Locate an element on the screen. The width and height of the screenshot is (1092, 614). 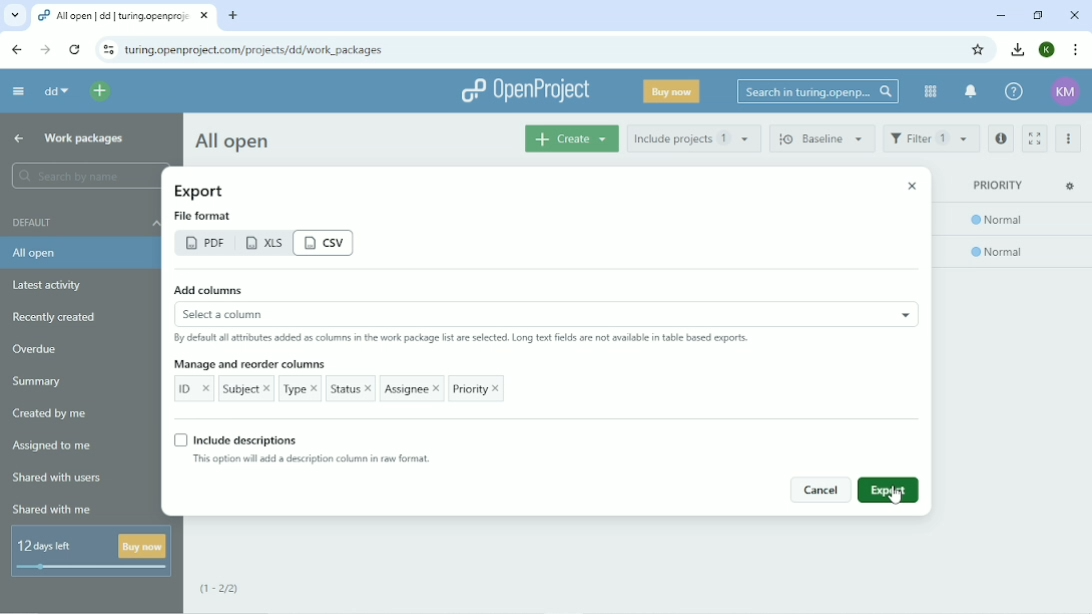
Current tab is located at coordinates (126, 16).